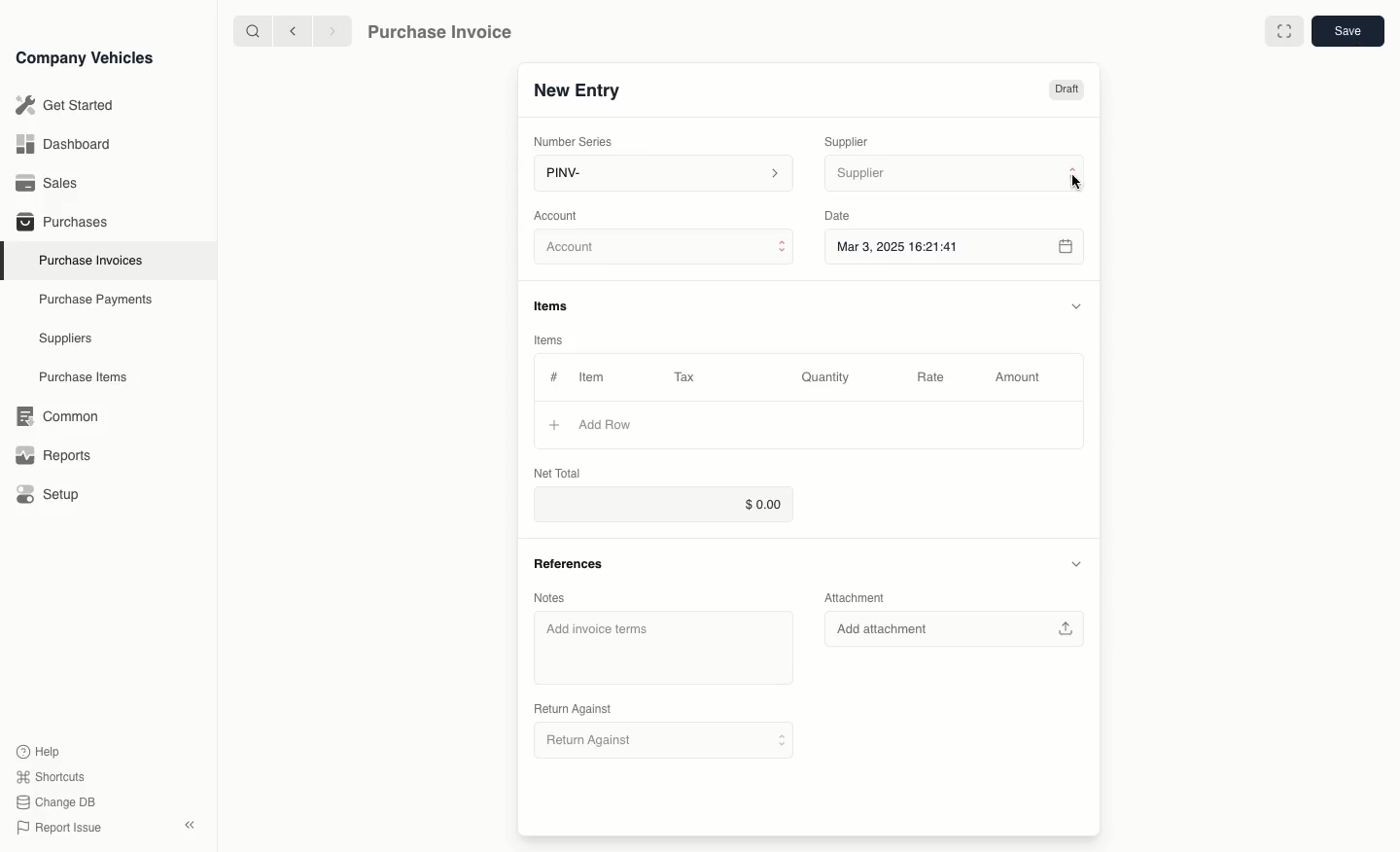 This screenshot has width=1400, height=852. Describe the element at coordinates (662, 503) in the screenshot. I see `$0.00` at that location.